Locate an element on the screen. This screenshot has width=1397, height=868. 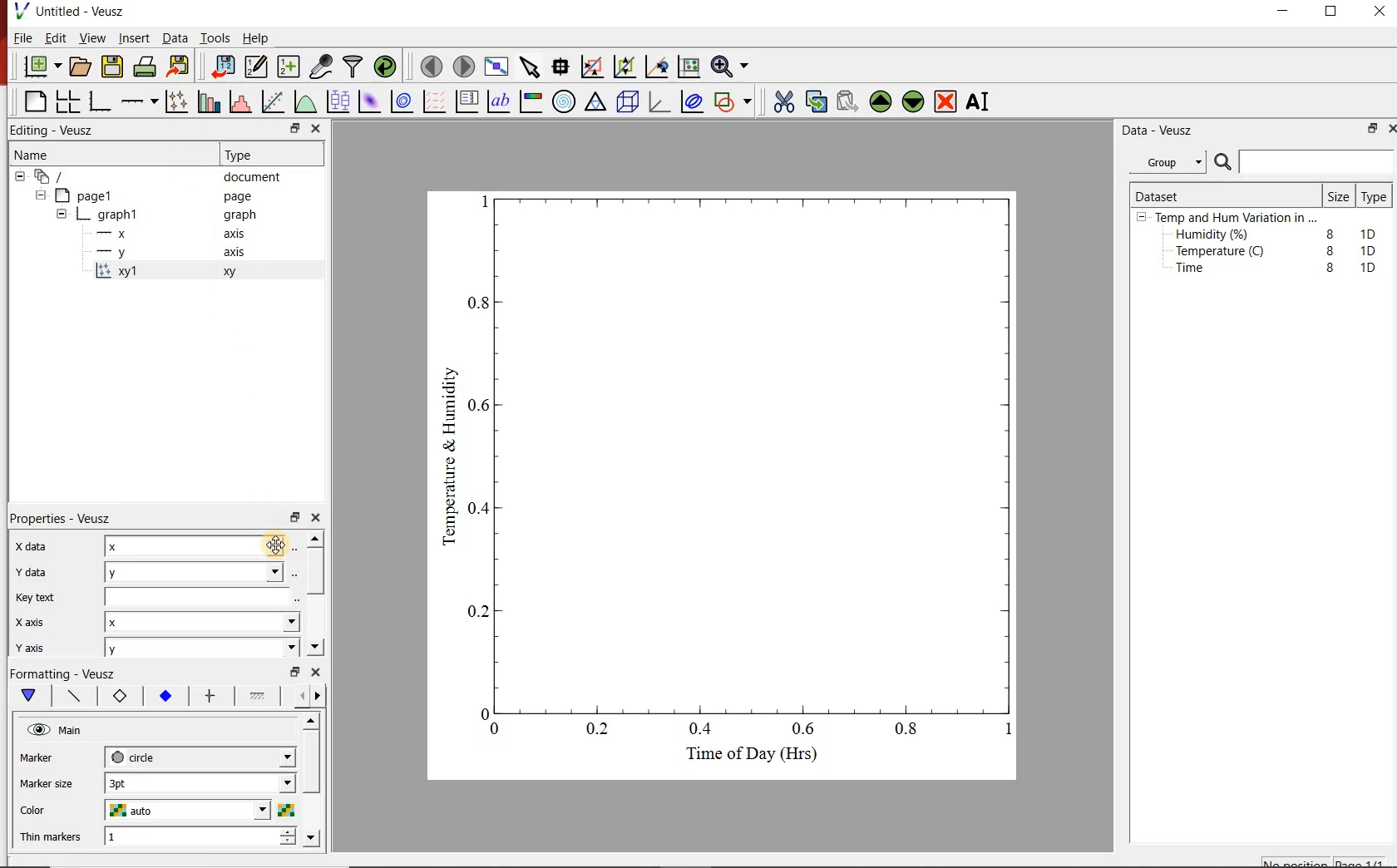
edit text is located at coordinates (292, 599).